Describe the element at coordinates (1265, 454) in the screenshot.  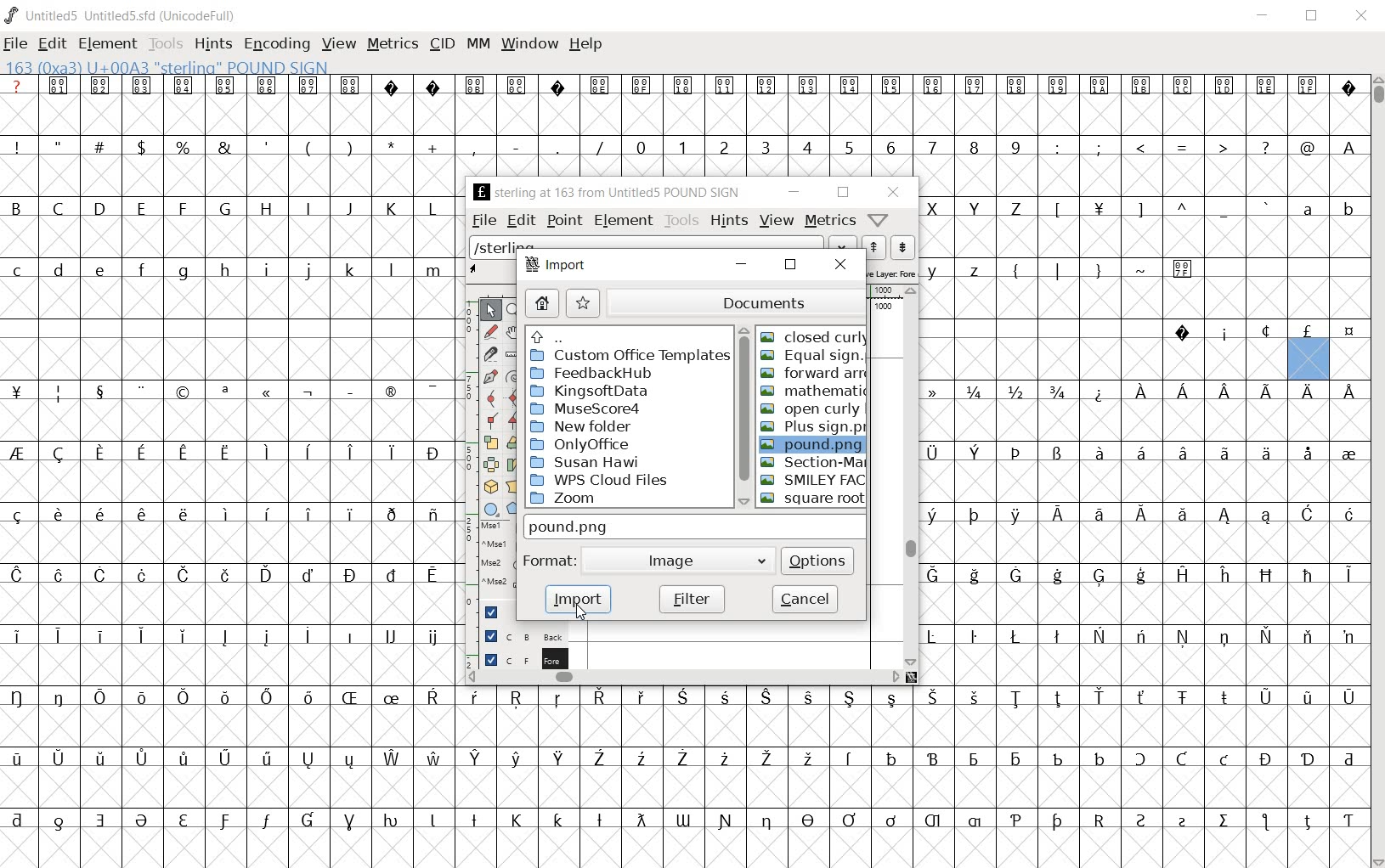
I see `Symbol` at that location.